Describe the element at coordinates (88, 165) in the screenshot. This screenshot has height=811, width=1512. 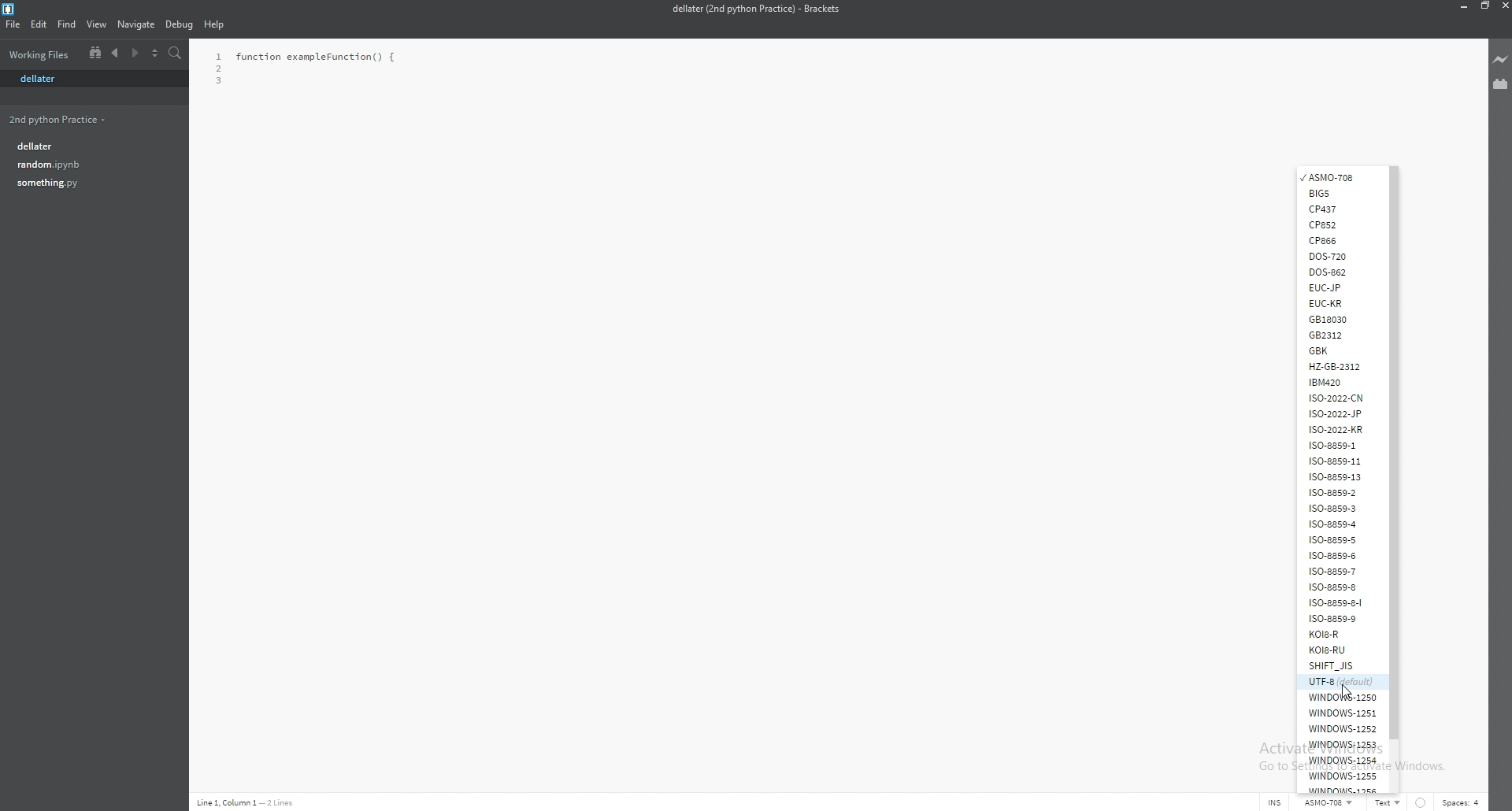
I see `random.ipynb` at that location.